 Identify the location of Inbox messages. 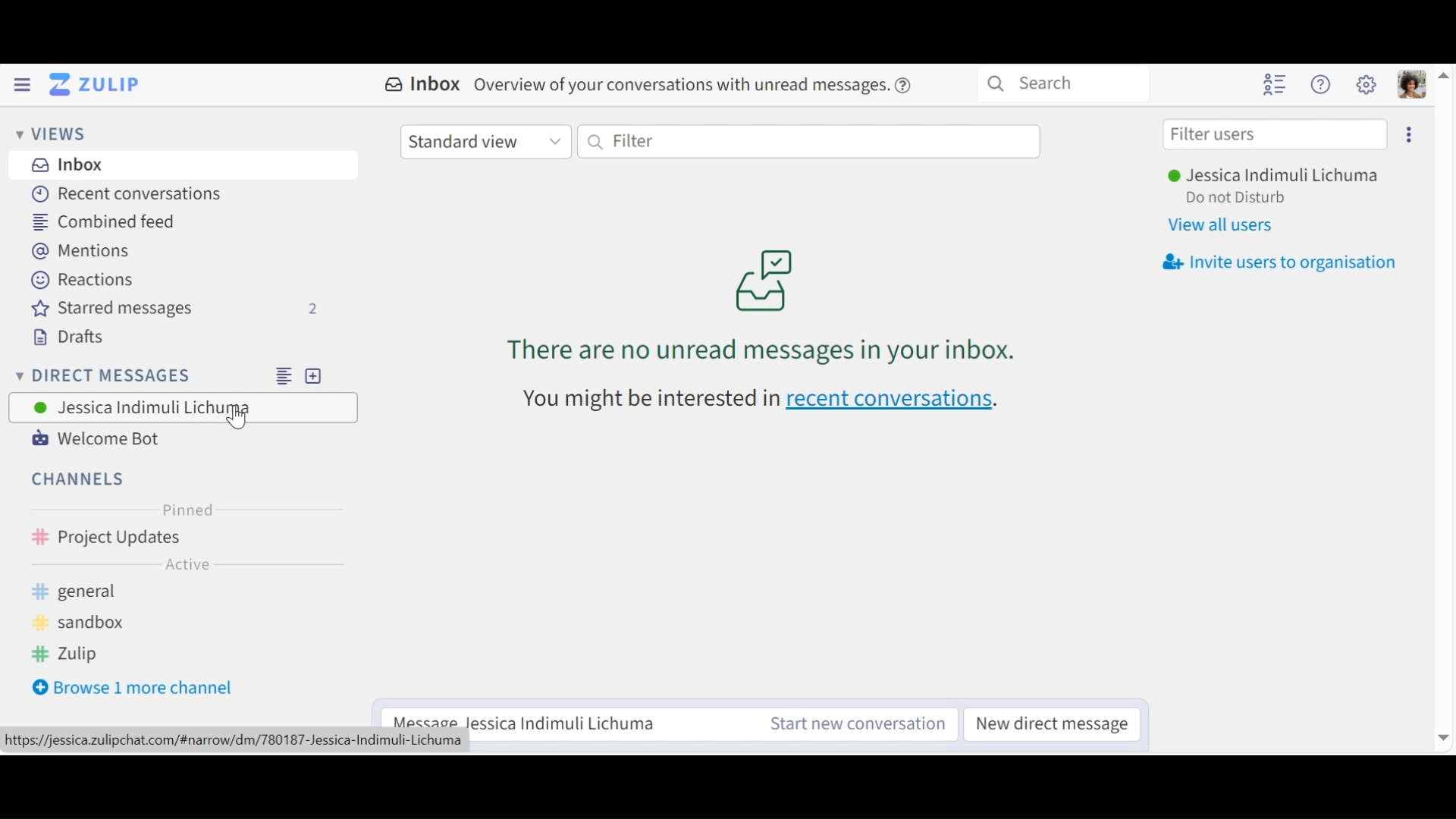
(782, 287).